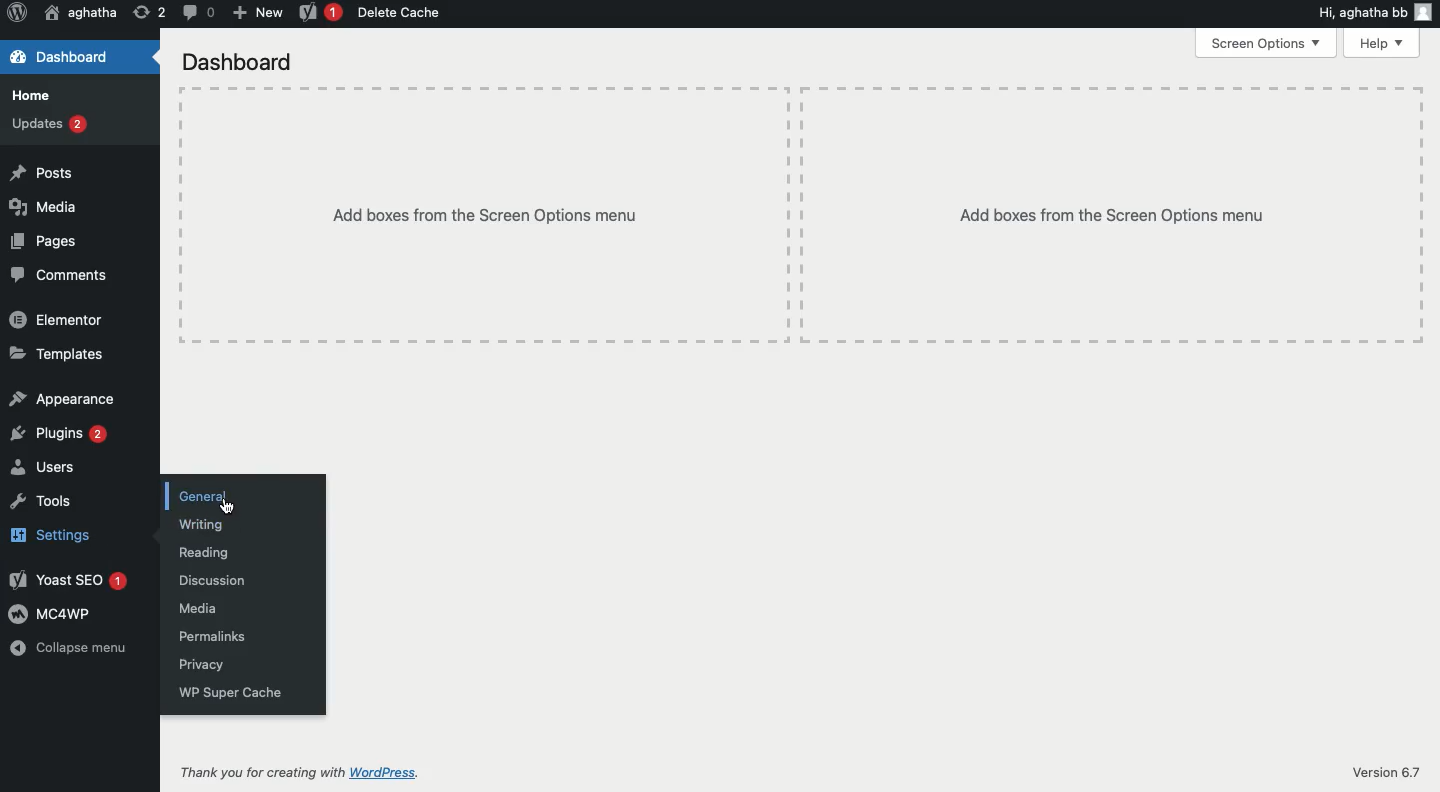  What do you see at coordinates (197, 665) in the screenshot?
I see `Privacy` at bounding box center [197, 665].